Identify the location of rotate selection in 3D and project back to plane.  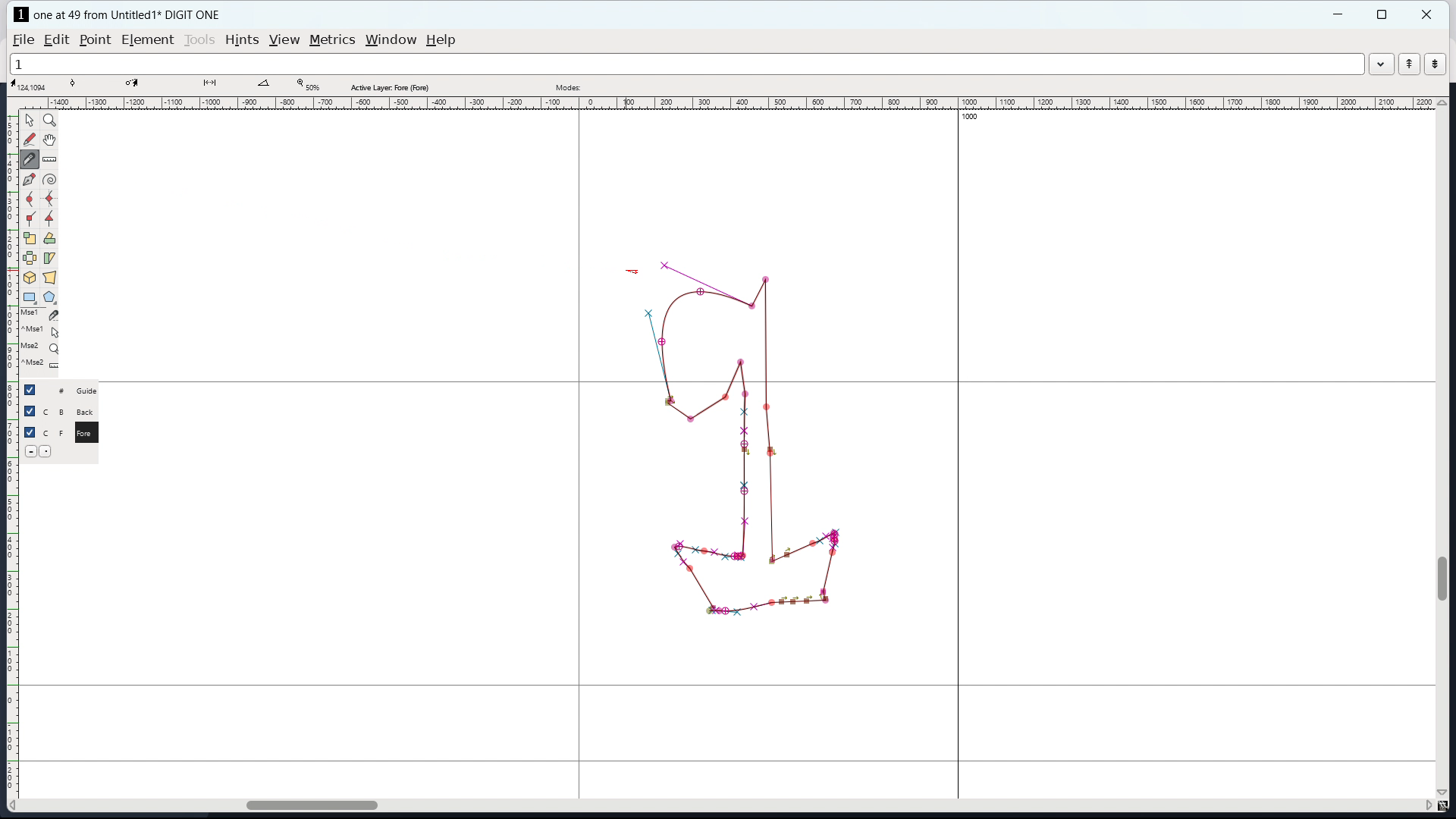
(30, 278).